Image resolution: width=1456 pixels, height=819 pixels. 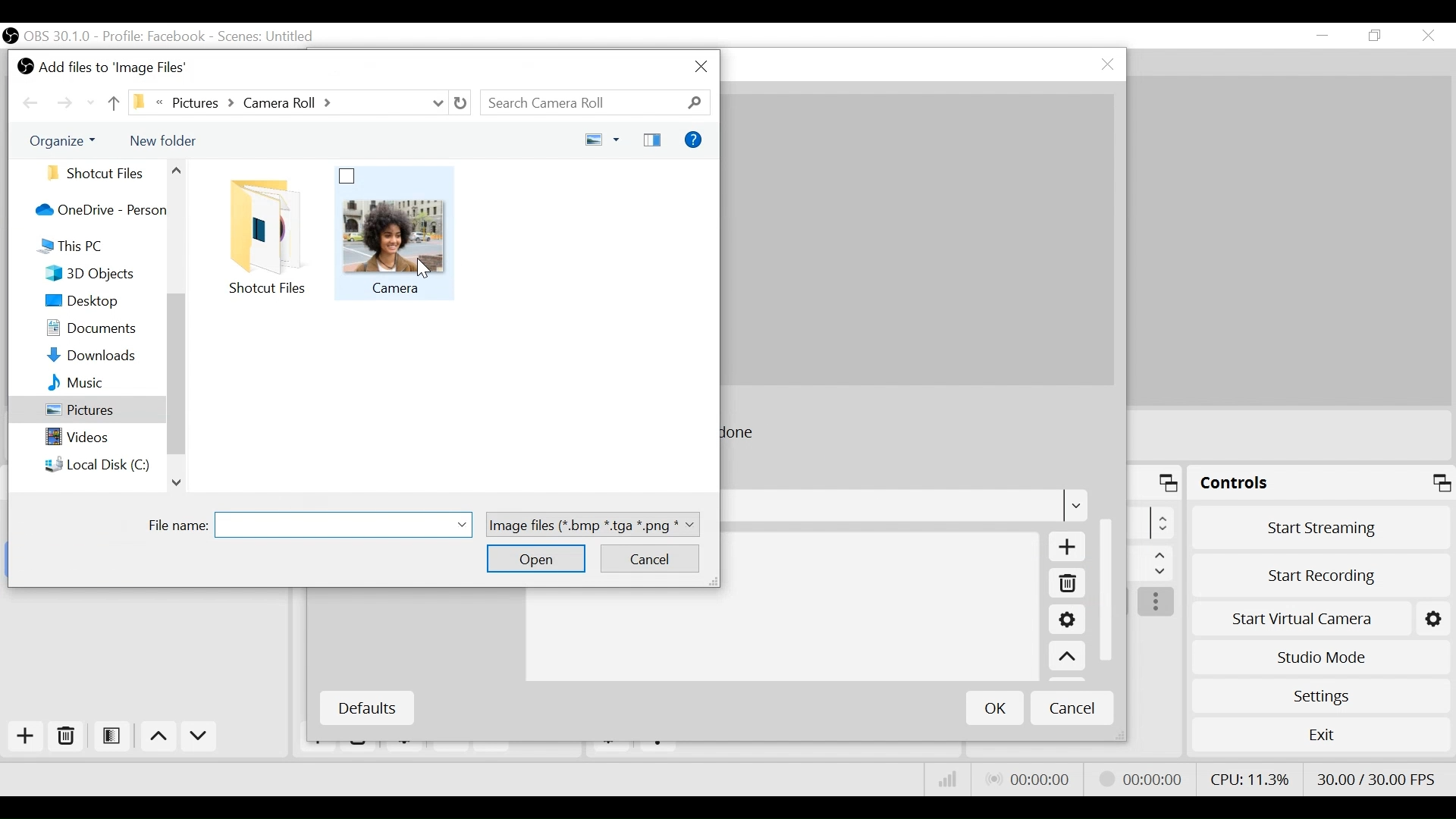 What do you see at coordinates (102, 439) in the screenshot?
I see `Video` at bounding box center [102, 439].